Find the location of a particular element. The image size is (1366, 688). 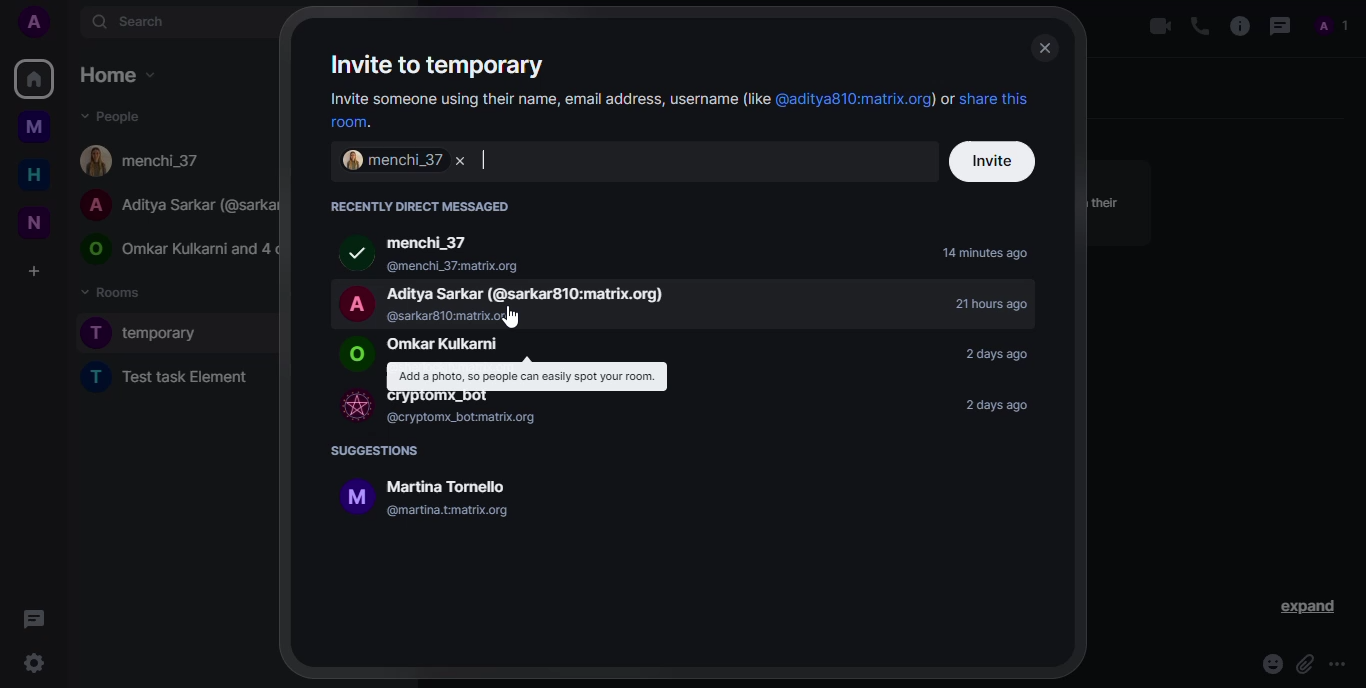

home is located at coordinates (28, 175).